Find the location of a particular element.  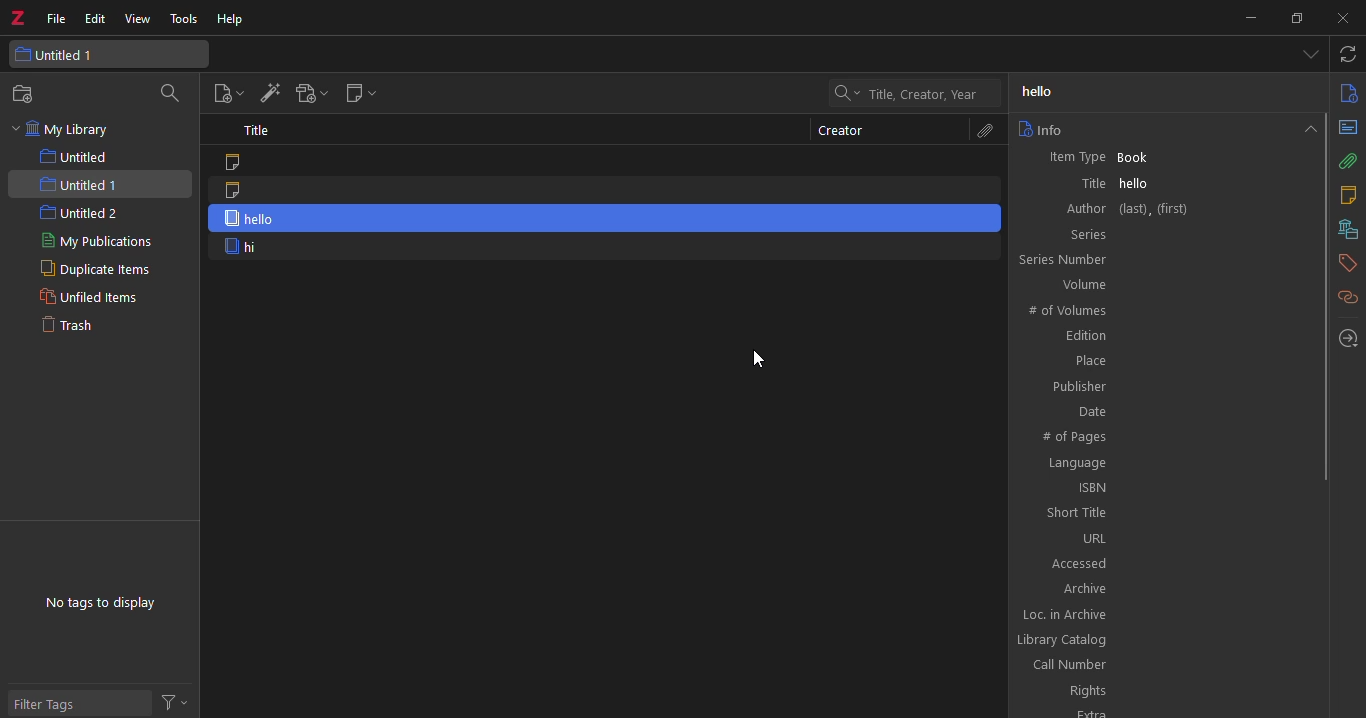

locate is located at coordinates (1349, 338).